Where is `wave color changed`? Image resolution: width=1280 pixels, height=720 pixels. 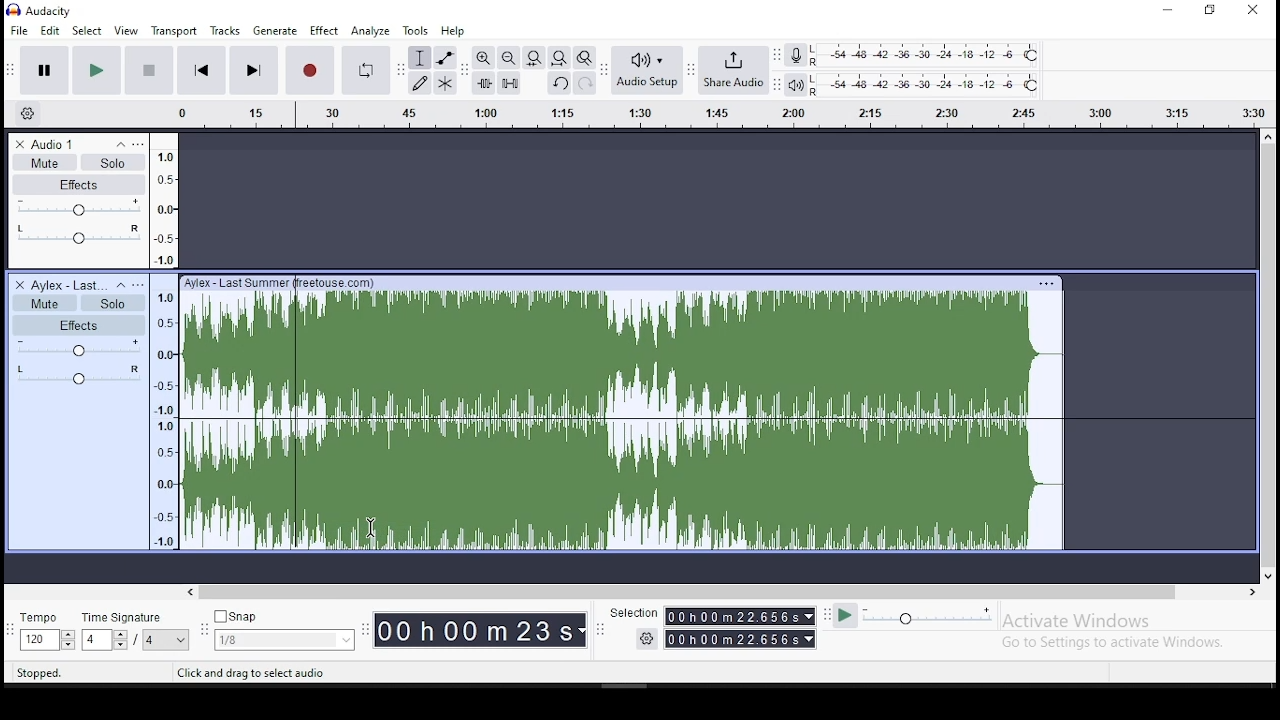
wave color changed is located at coordinates (717, 413).